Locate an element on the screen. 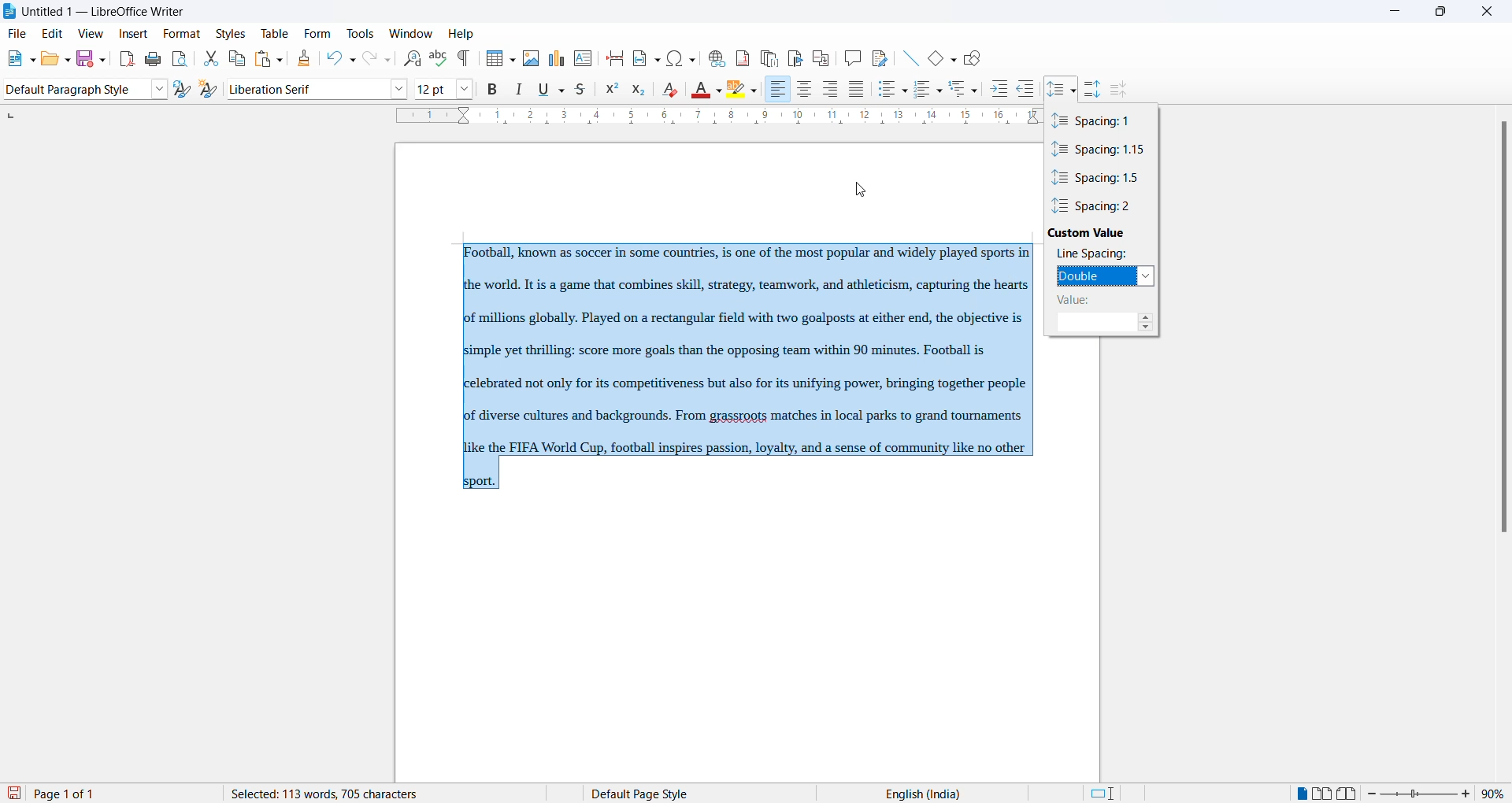 The image size is (1512, 803). insert table grid is located at coordinates (512, 58).